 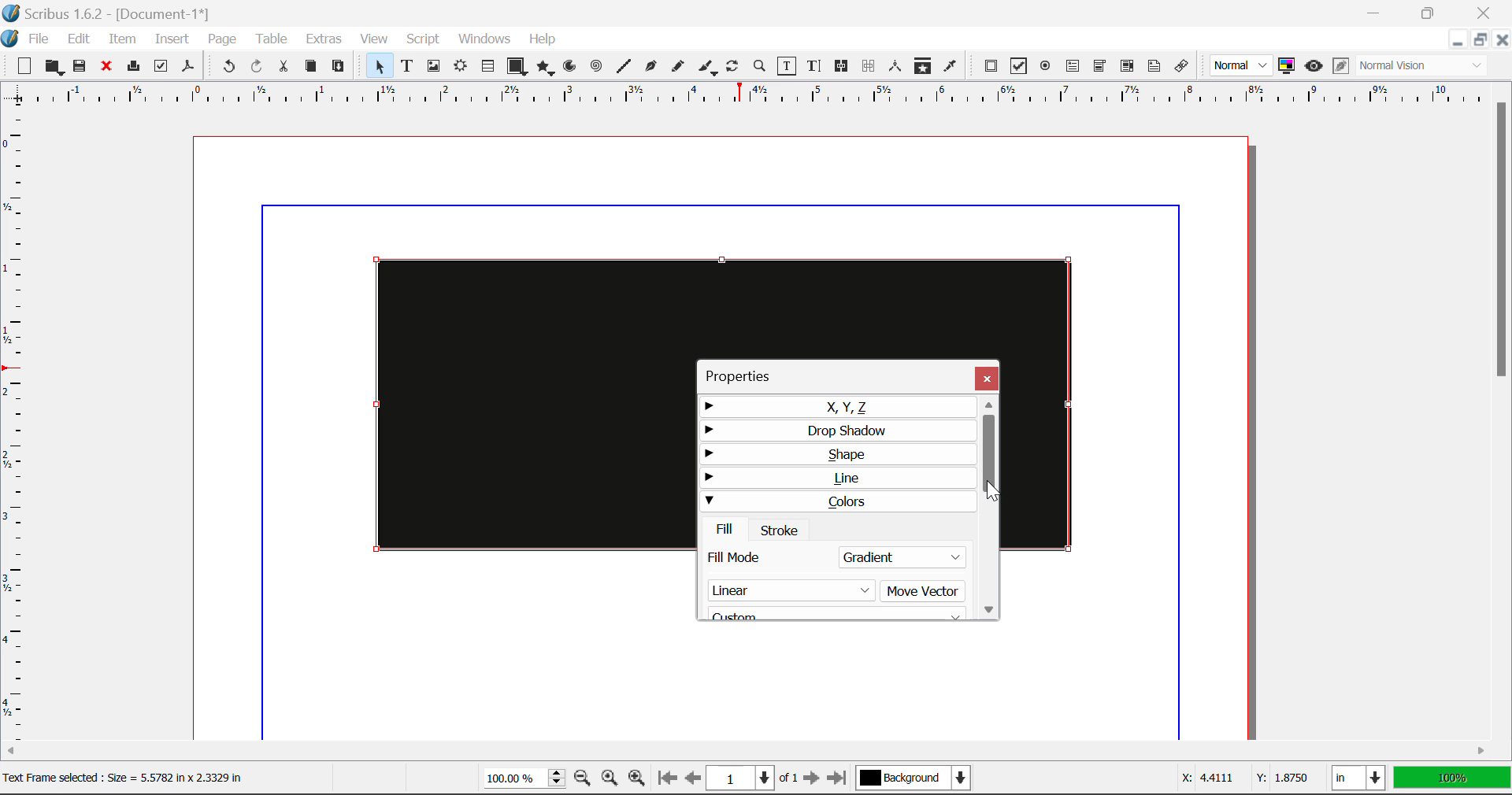 What do you see at coordinates (20, 67) in the screenshot?
I see `New` at bounding box center [20, 67].